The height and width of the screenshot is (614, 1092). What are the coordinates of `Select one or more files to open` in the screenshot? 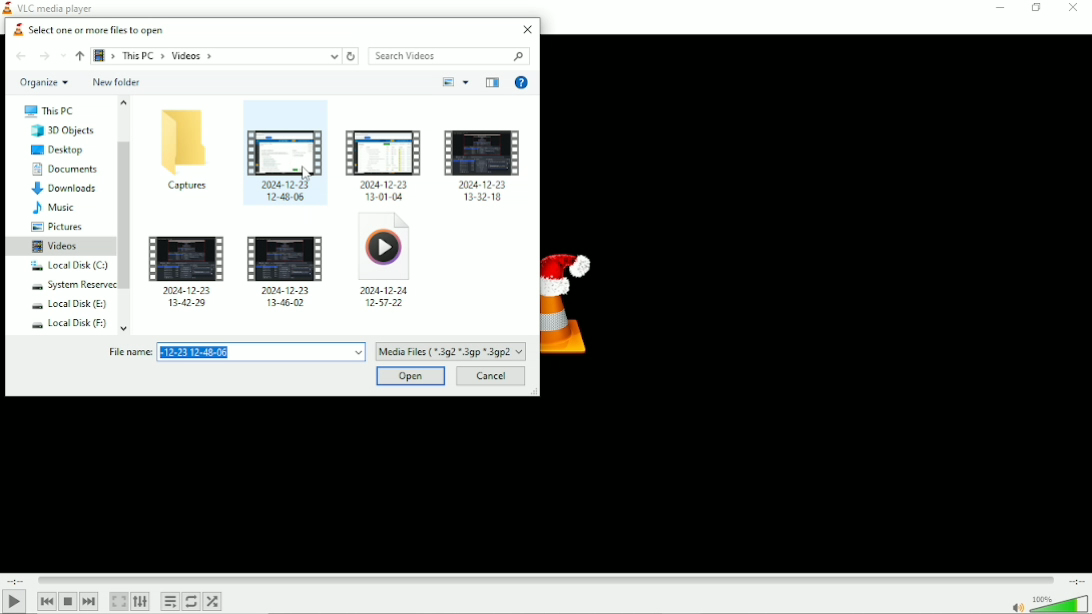 It's located at (85, 28).